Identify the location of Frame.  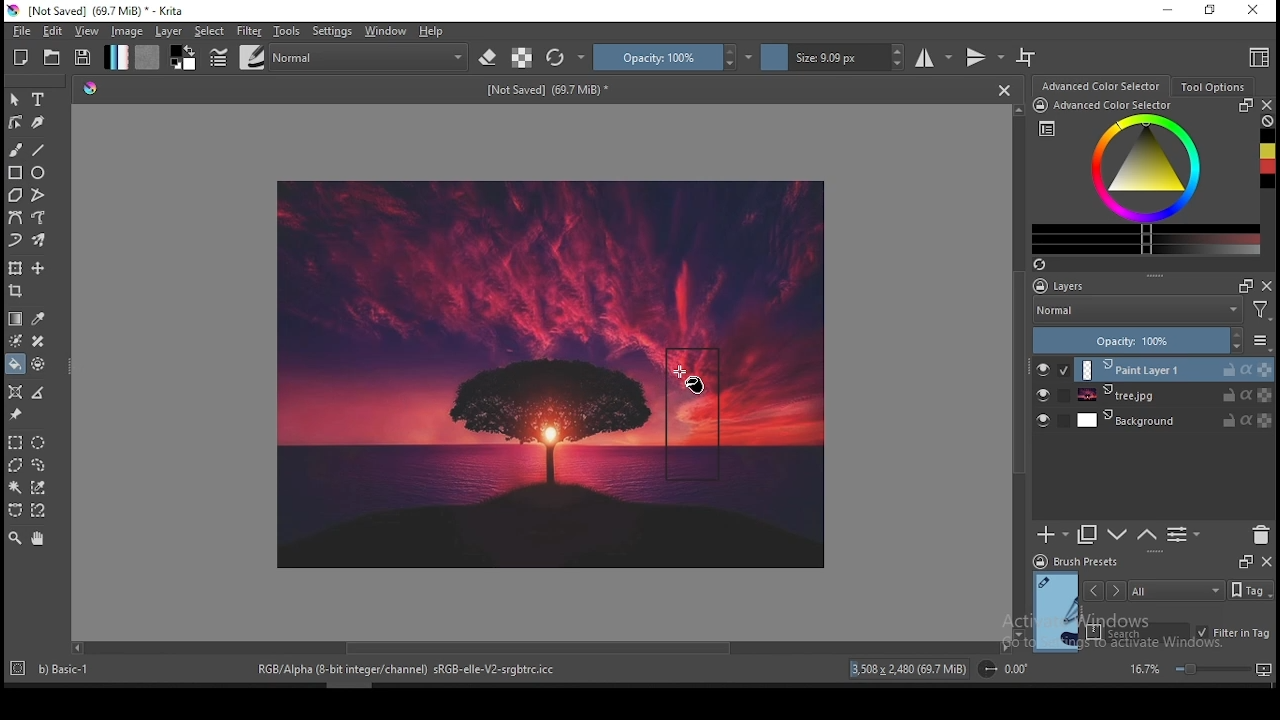
(1243, 285).